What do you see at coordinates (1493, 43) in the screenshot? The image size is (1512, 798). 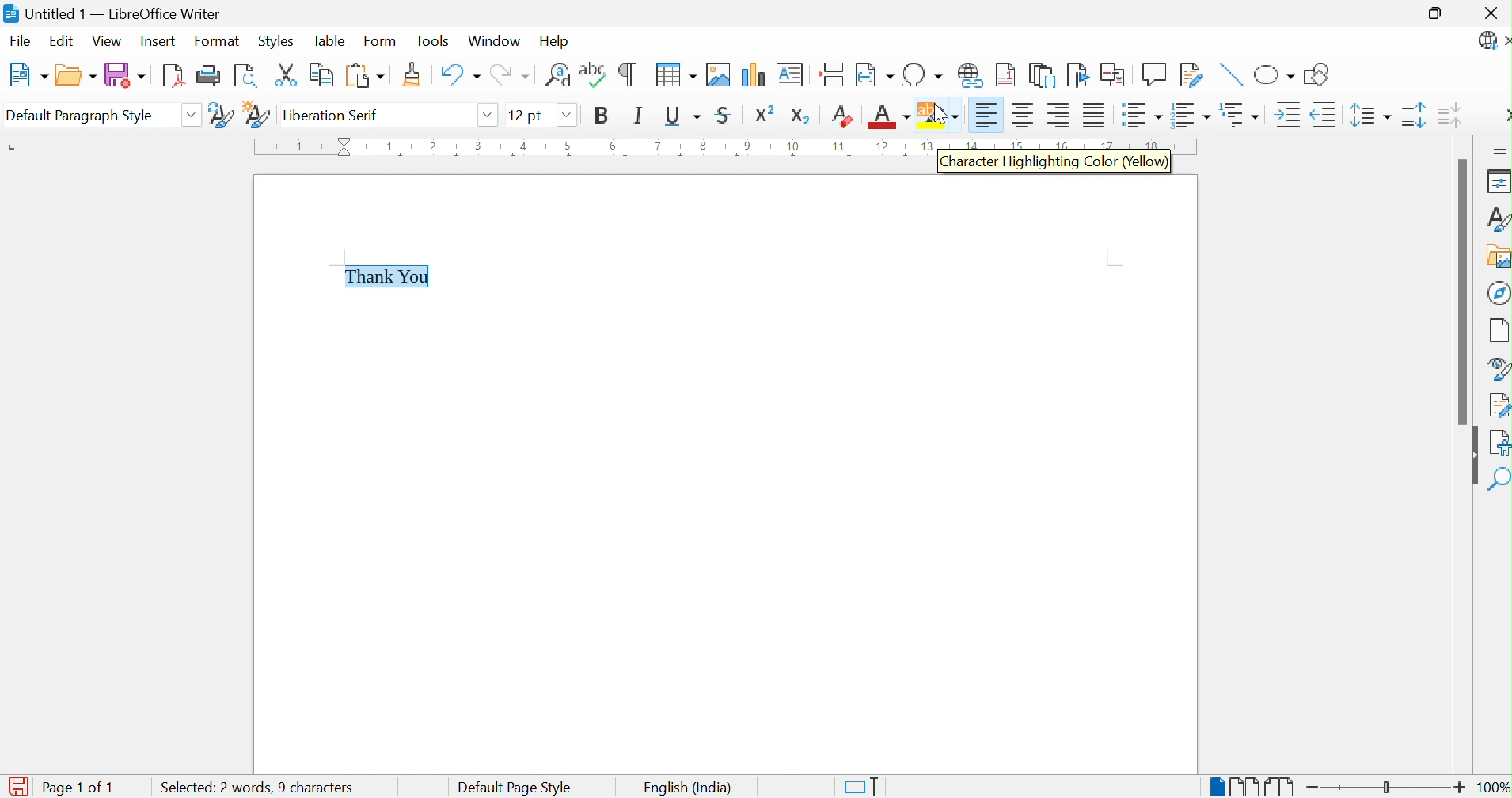 I see `LibreOffice Update Available` at bounding box center [1493, 43].